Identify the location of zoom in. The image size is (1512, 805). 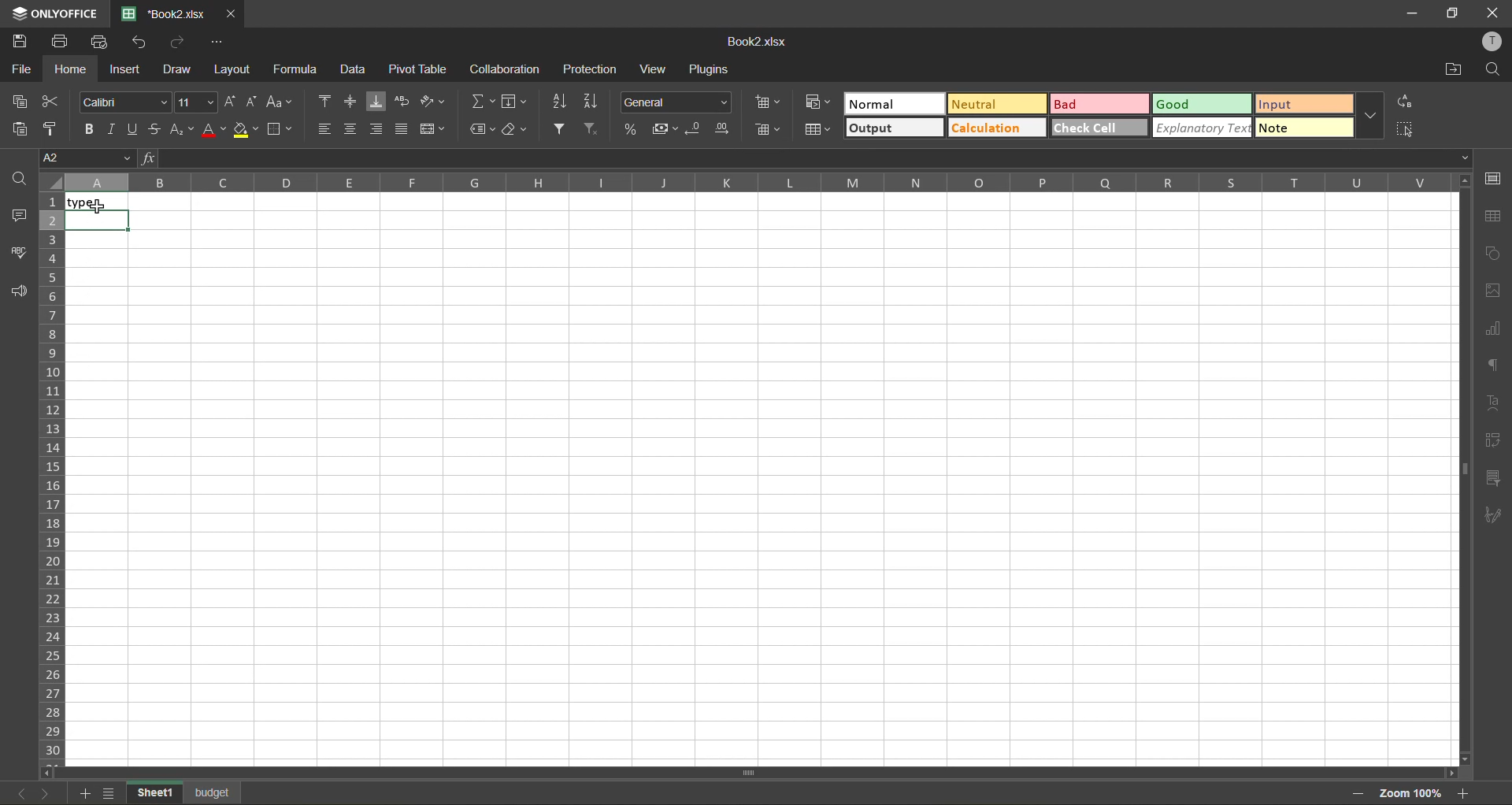
(1464, 792).